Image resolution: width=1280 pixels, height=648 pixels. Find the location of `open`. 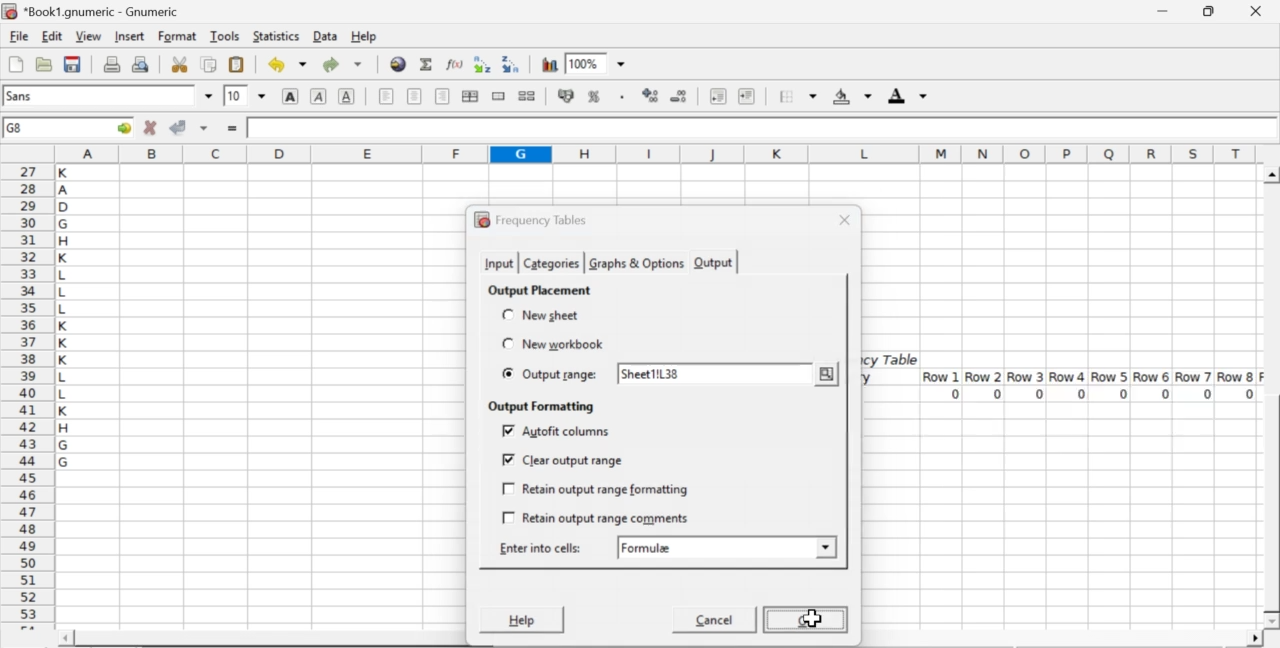

open is located at coordinates (42, 64).